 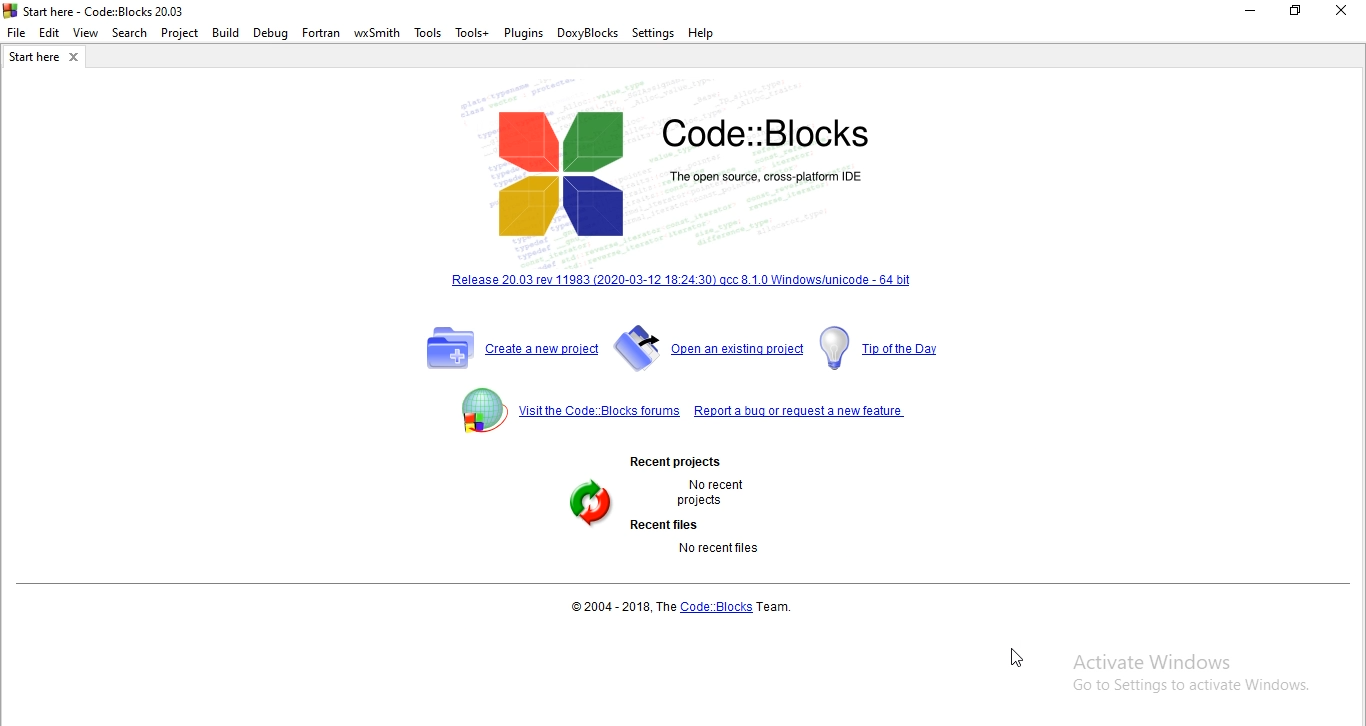 I want to click on Link, so click(x=541, y=348).